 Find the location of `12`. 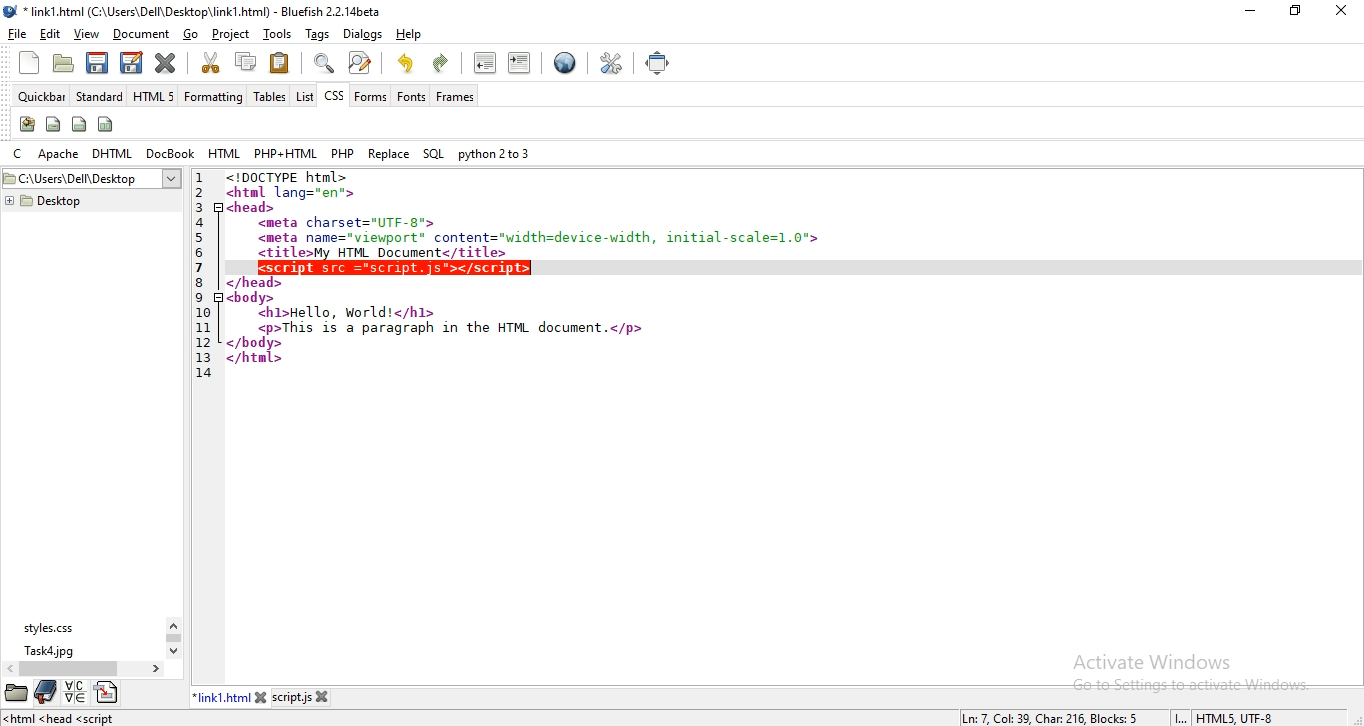

12 is located at coordinates (203, 344).